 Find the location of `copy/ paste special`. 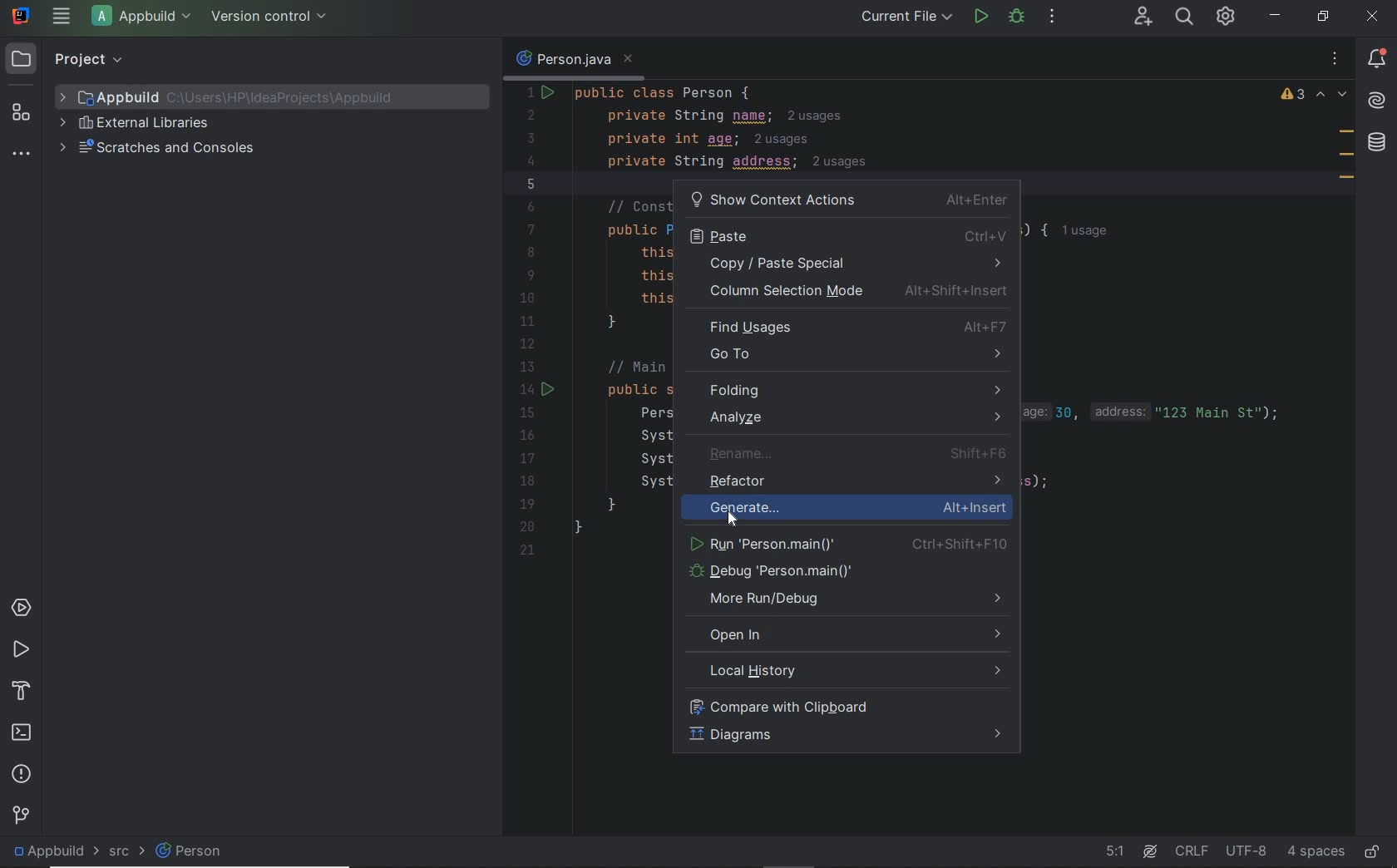

copy/ paste special is located at coordinates (846, 264).